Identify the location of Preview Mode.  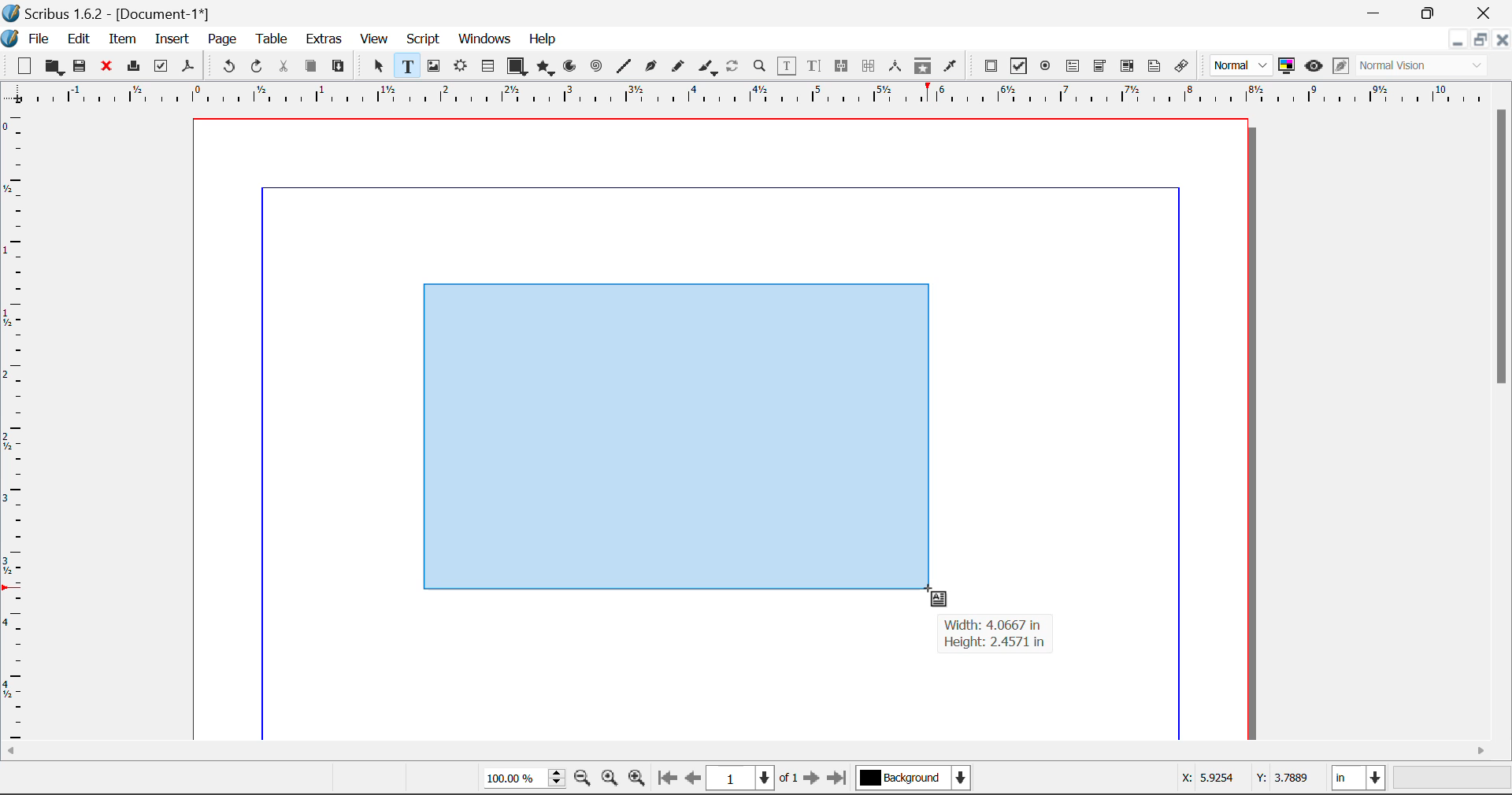
(1242, 66).